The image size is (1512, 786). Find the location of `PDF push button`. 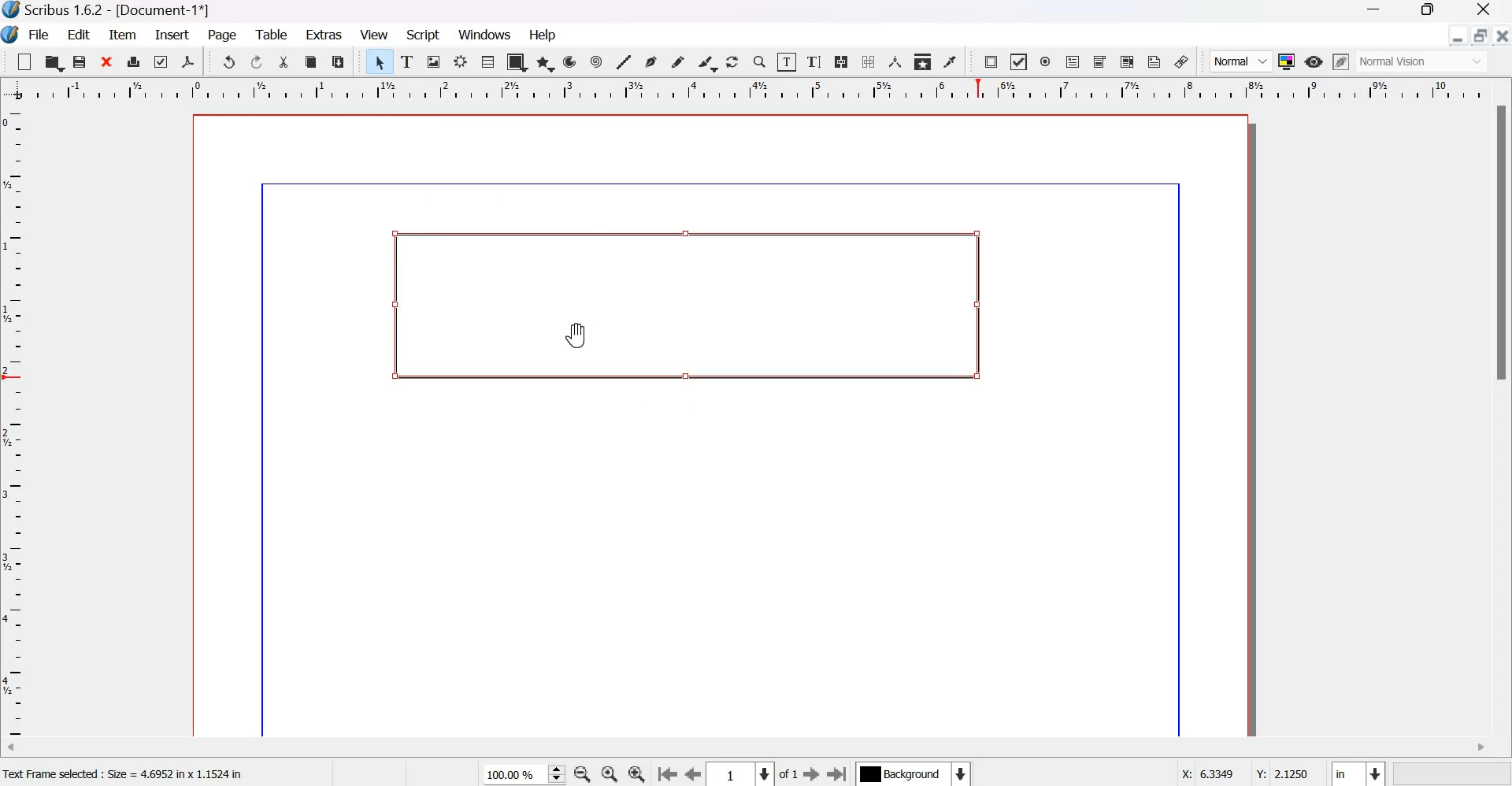

PDF push button is located at coordinates (991, 62).